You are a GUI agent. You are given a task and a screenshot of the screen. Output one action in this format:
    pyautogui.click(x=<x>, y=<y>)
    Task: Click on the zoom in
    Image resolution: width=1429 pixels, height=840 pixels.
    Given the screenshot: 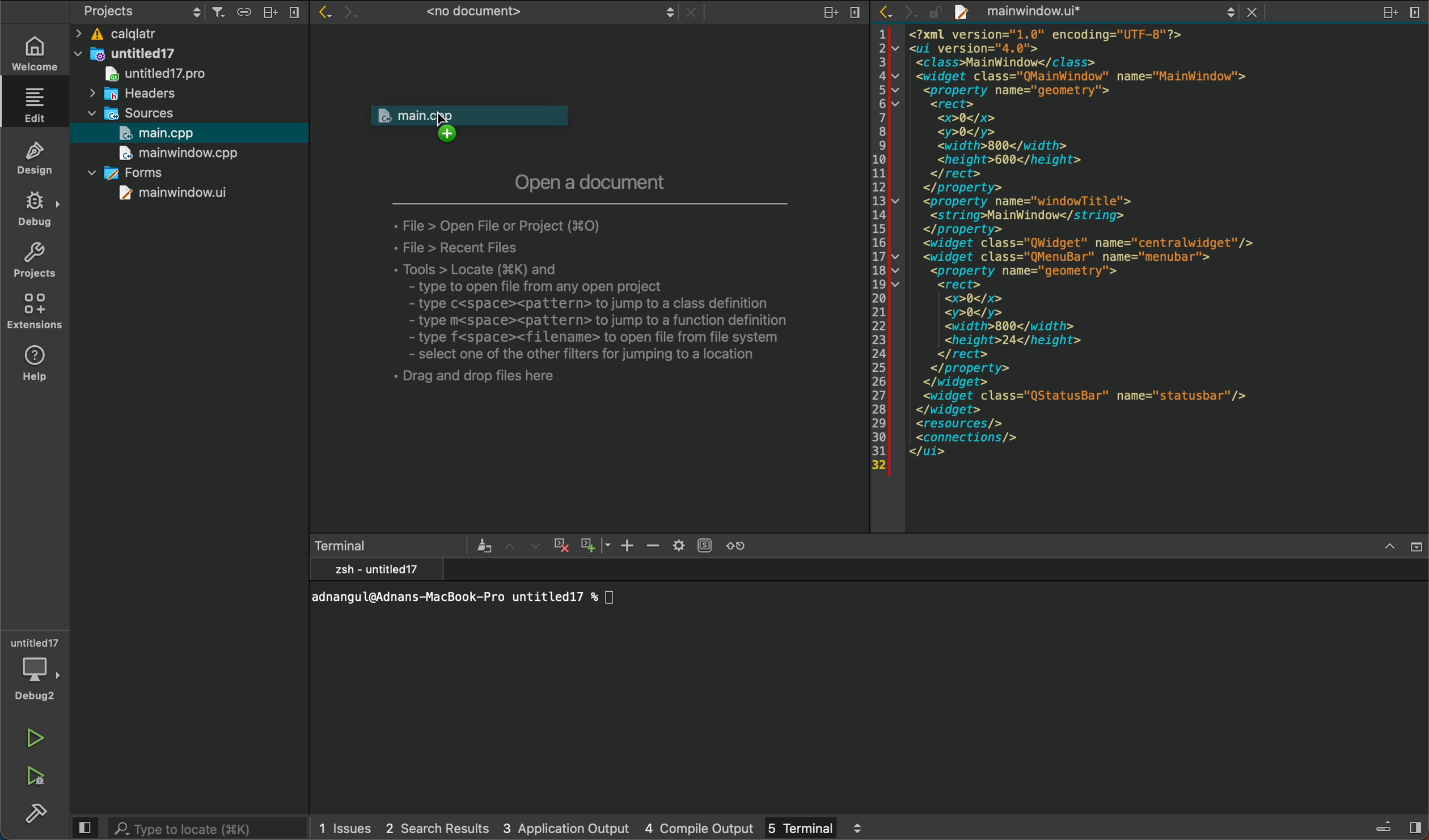 What is the action you would take?
    pyautogui.click(x=627, y=545)
    